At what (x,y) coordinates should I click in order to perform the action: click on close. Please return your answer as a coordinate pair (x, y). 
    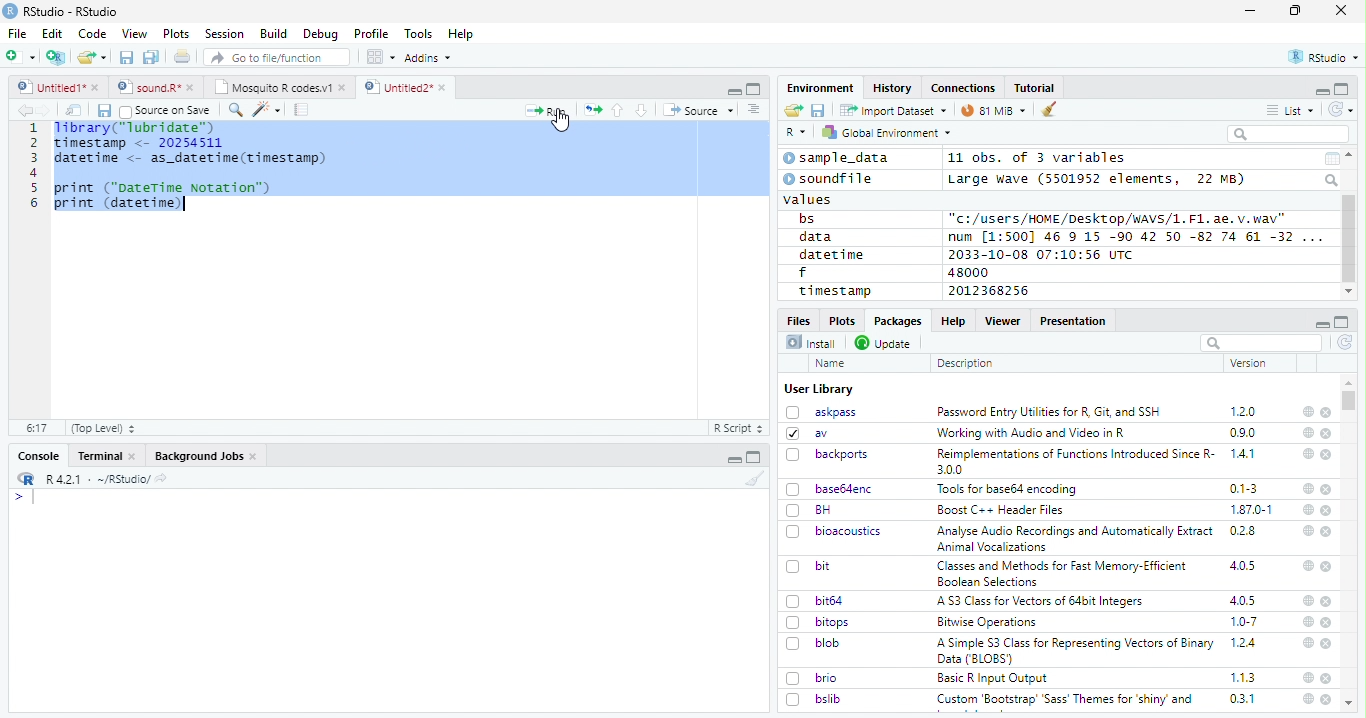
    Looking at the image, I should click on (1328, 510).